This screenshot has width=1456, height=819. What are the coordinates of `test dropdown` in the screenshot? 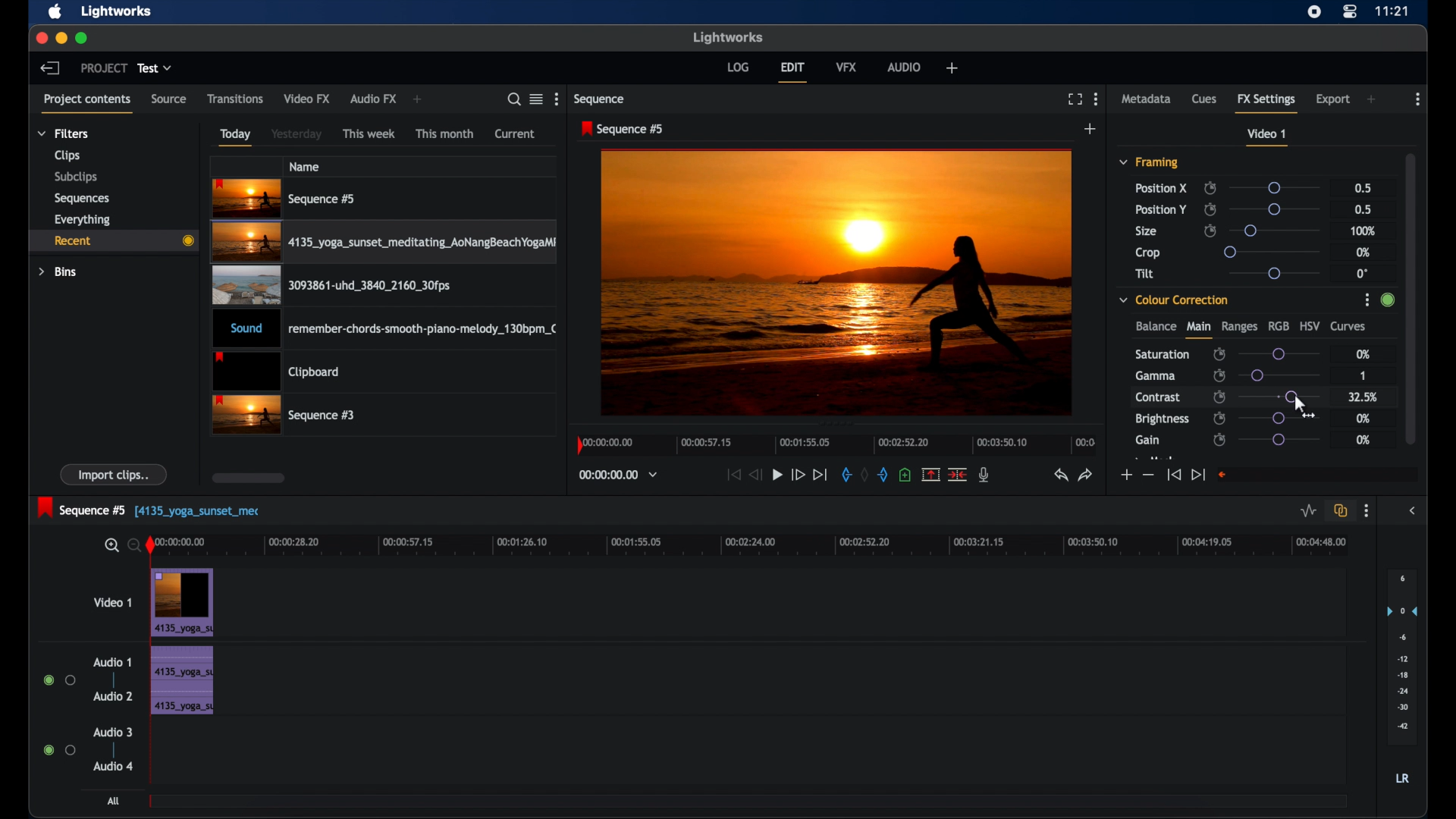 It's located at (155, 67).